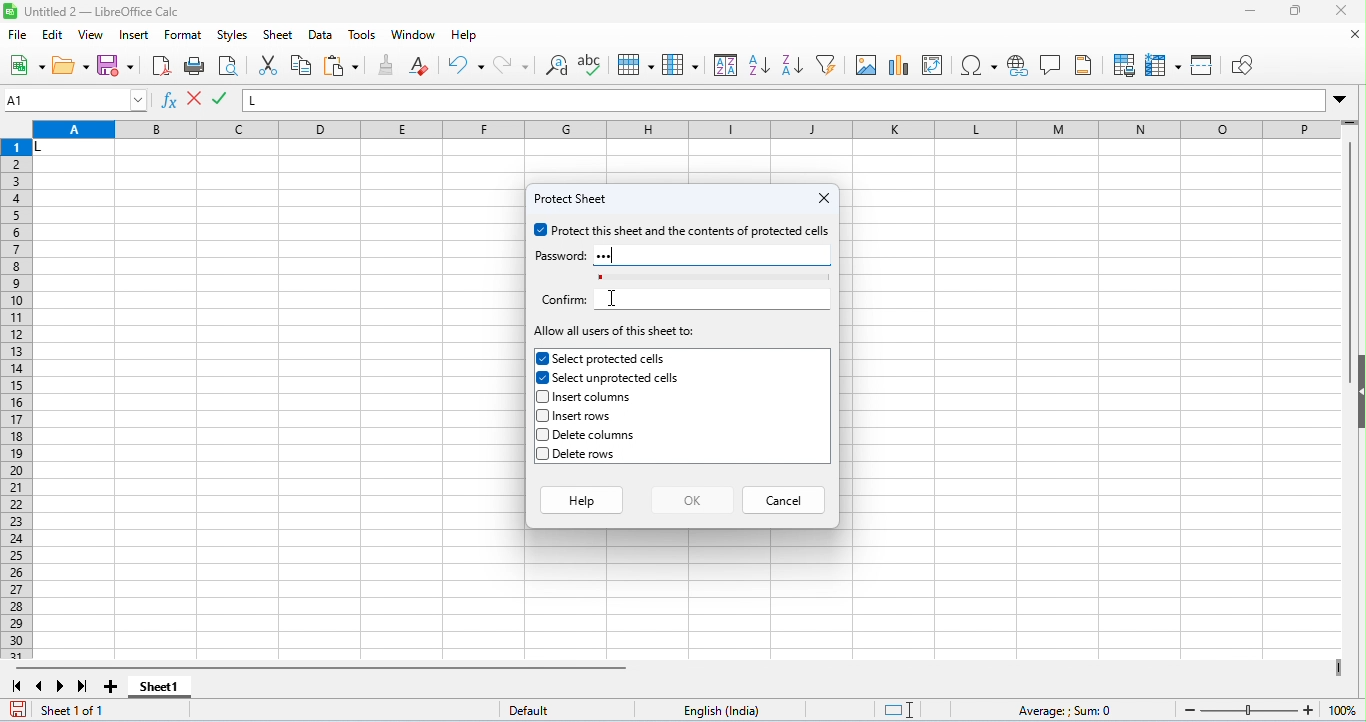  What do you see at coordinates (1355, 35) in the screenshot?
I see `close` at bounding box center [1355, 35].